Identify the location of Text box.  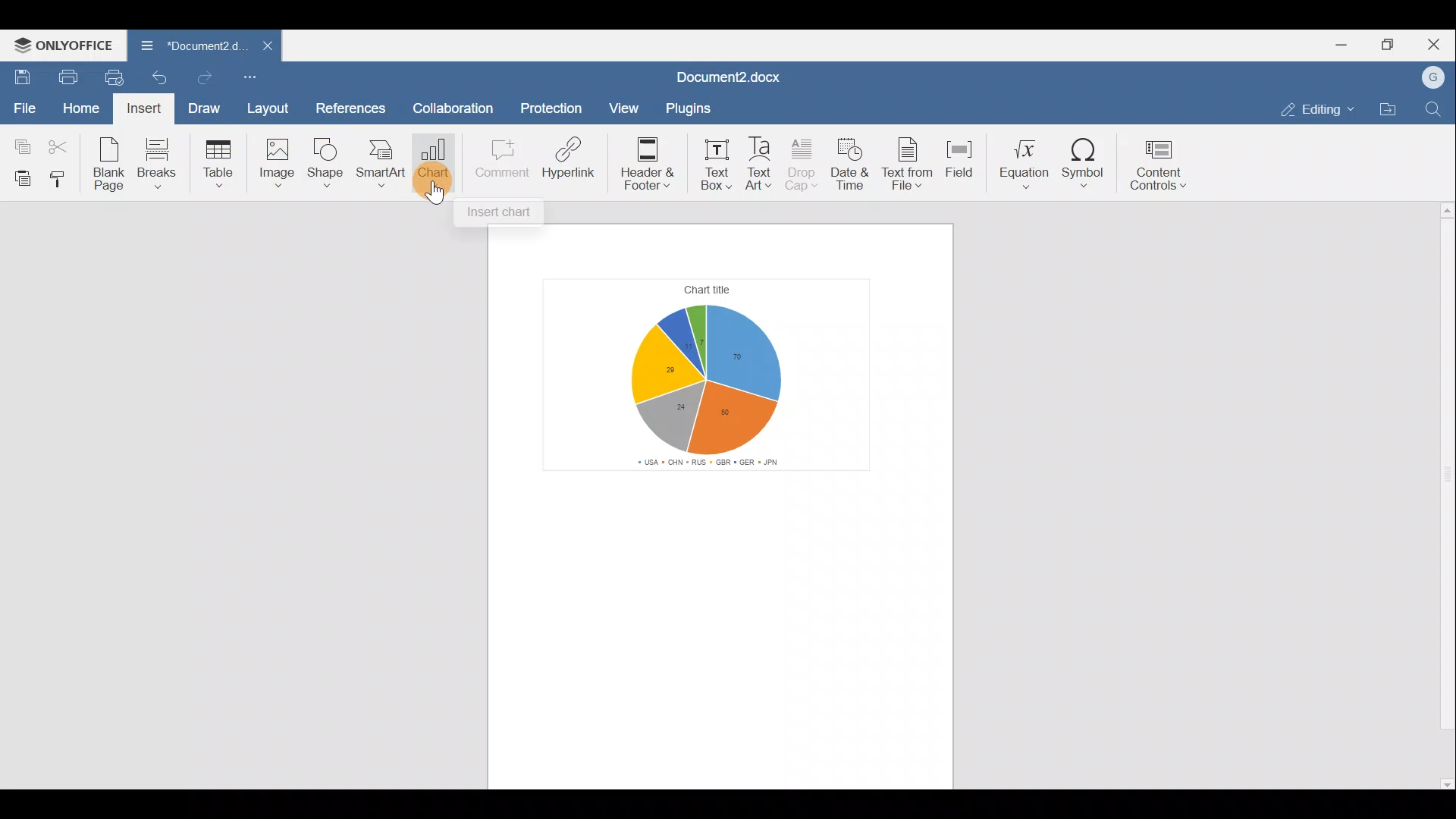
(711, 162).